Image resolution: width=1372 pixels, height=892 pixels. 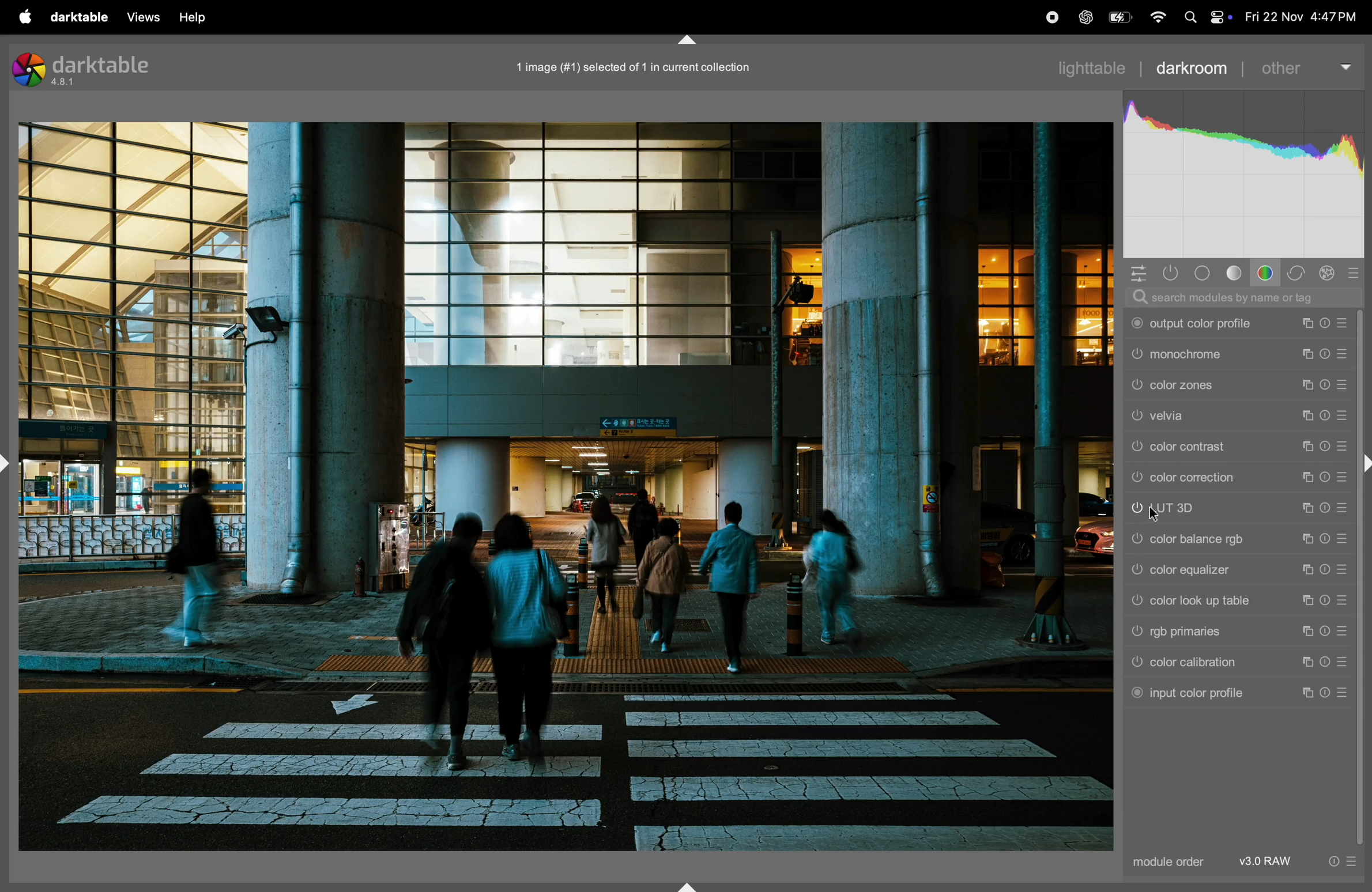 I want to click on LUT 3d, so click(x=1219, y=508).